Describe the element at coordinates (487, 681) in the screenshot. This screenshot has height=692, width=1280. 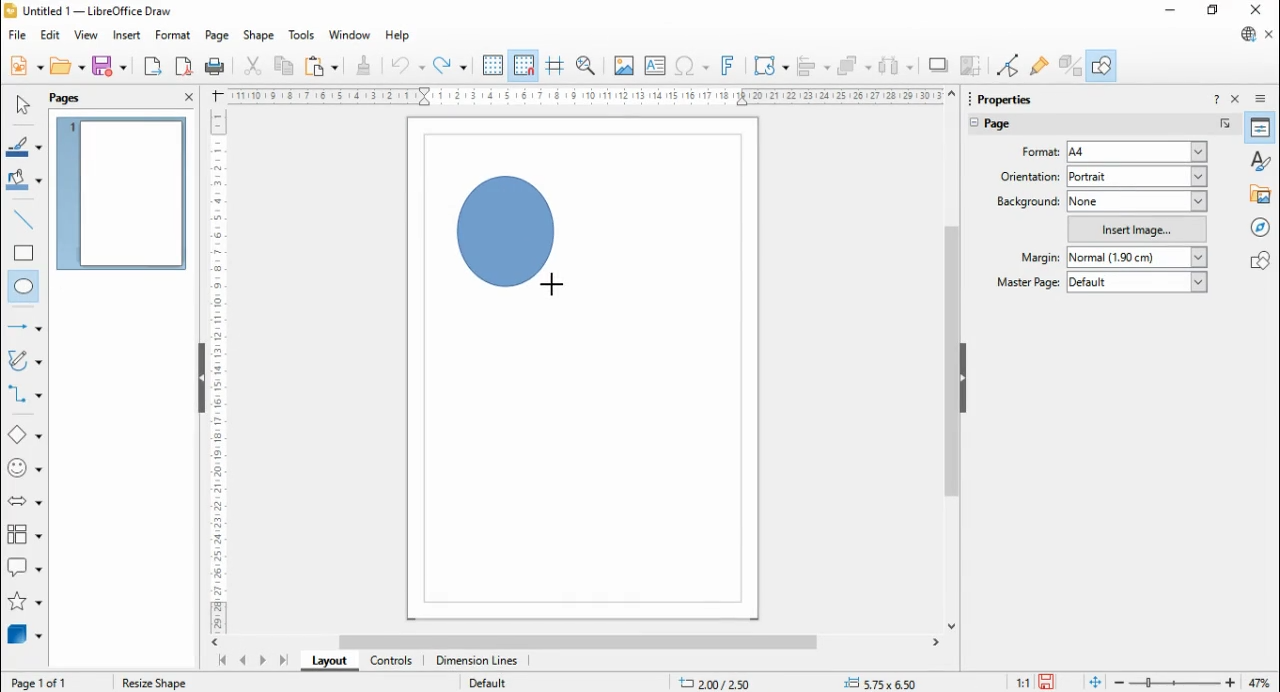
I see `Default` at that location.